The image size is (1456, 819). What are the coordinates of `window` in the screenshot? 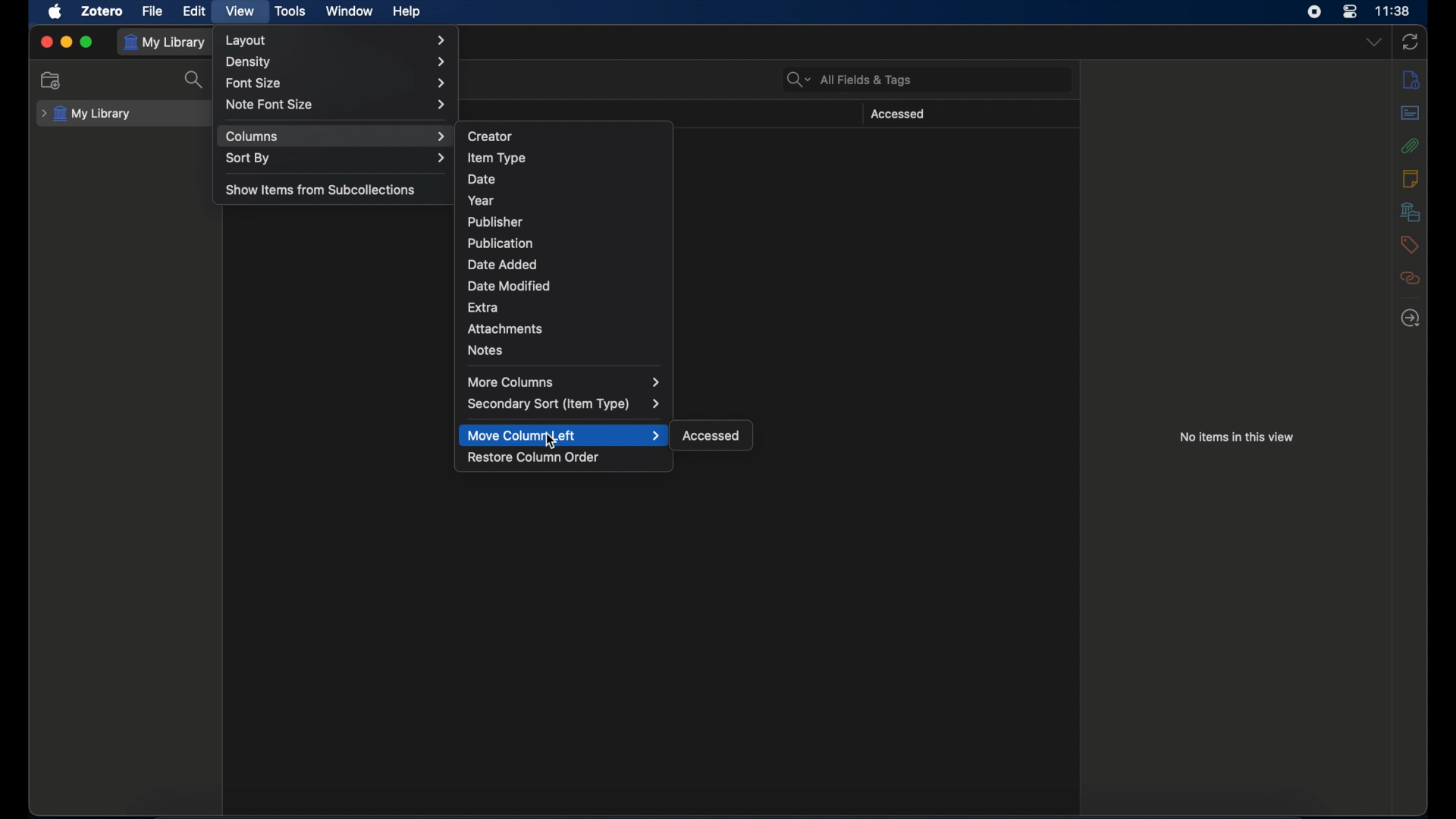 It's located at (351, 11).